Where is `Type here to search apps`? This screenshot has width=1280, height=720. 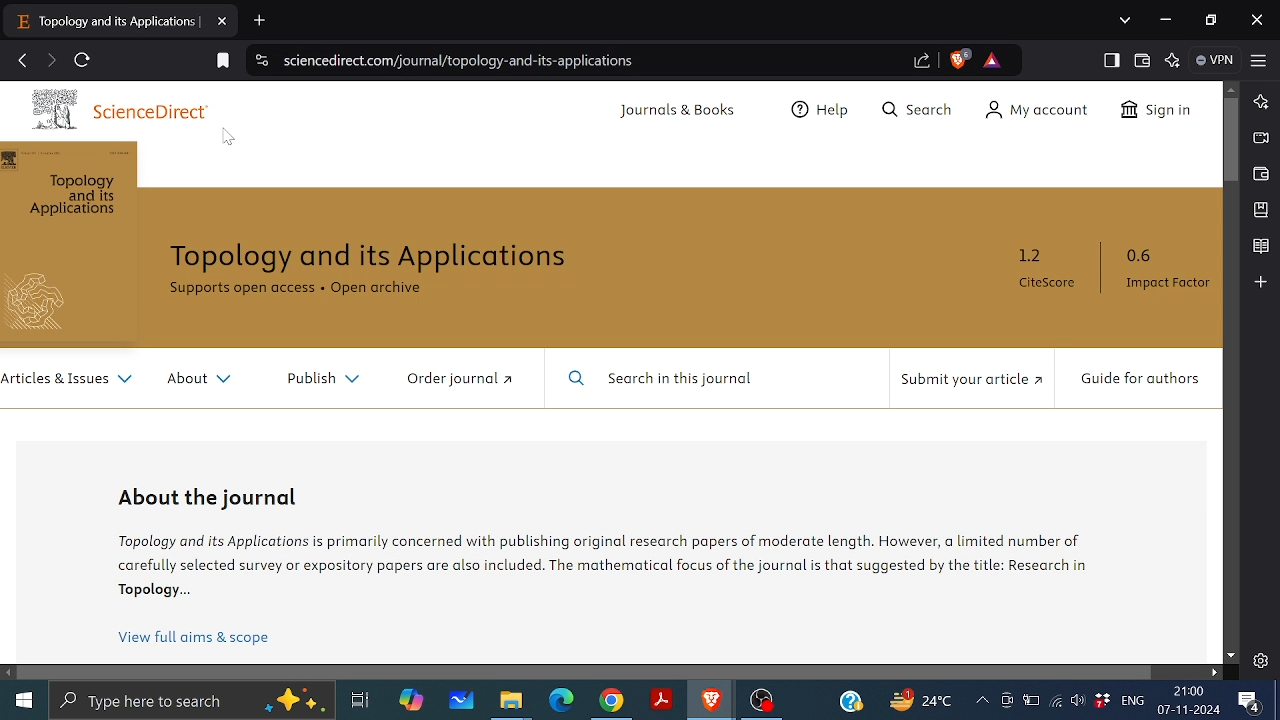
Type here to search apps is located at coordinates (191, 702).